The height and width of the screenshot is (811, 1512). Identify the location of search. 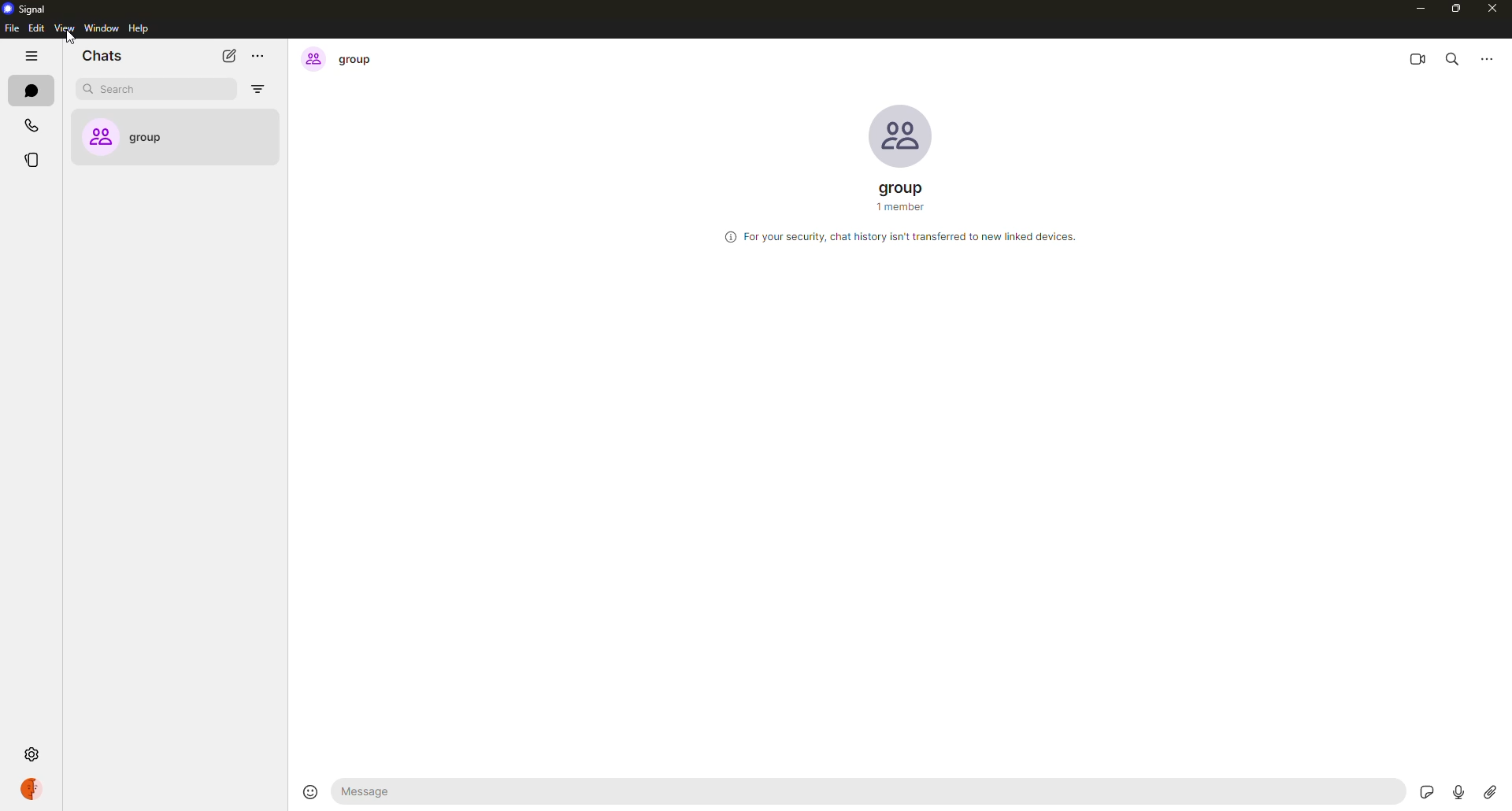
(1457, 57).